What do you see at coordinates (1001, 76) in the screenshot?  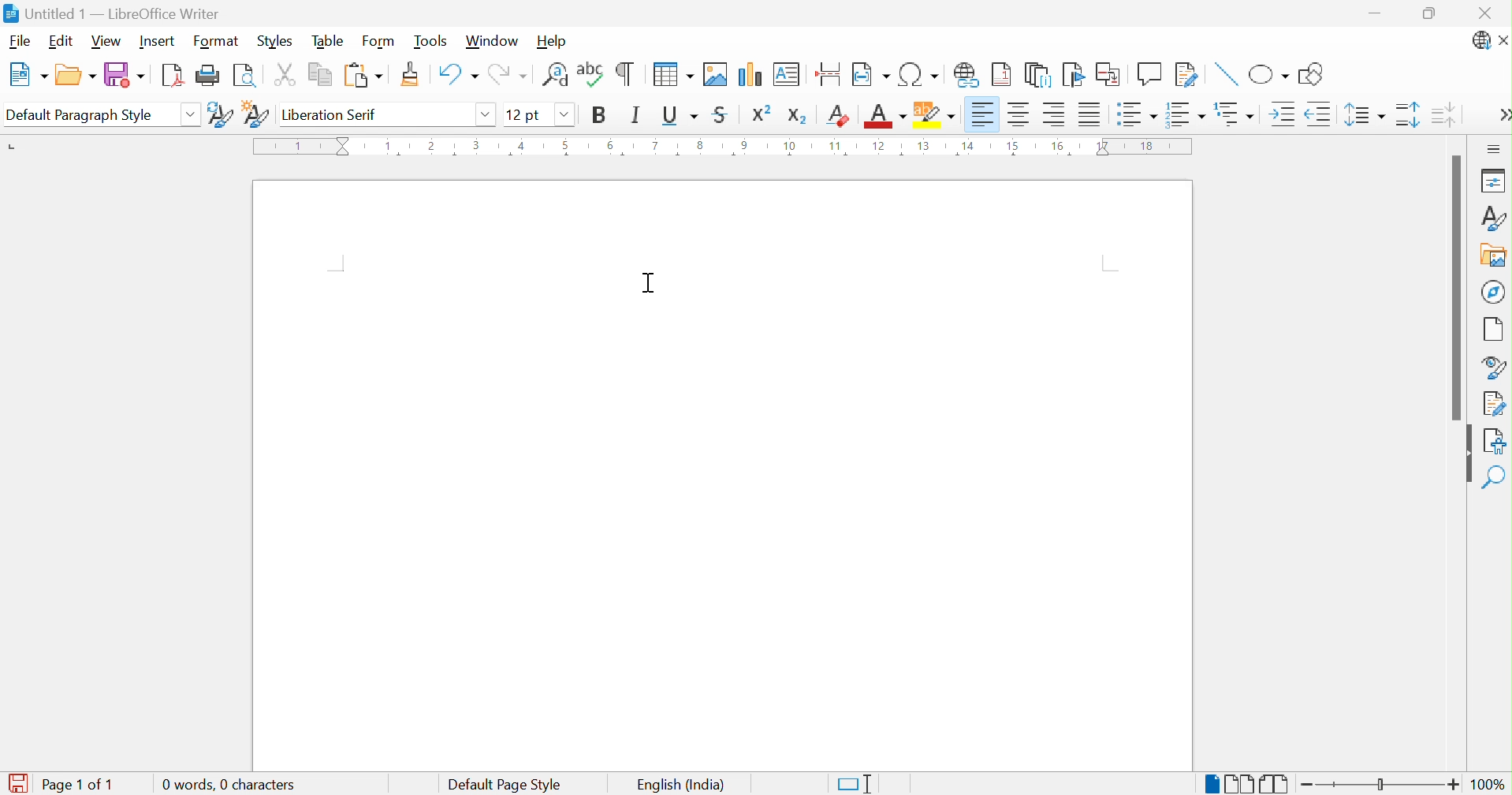 I see `Insert footnote` at bounding box center [1001, 76].